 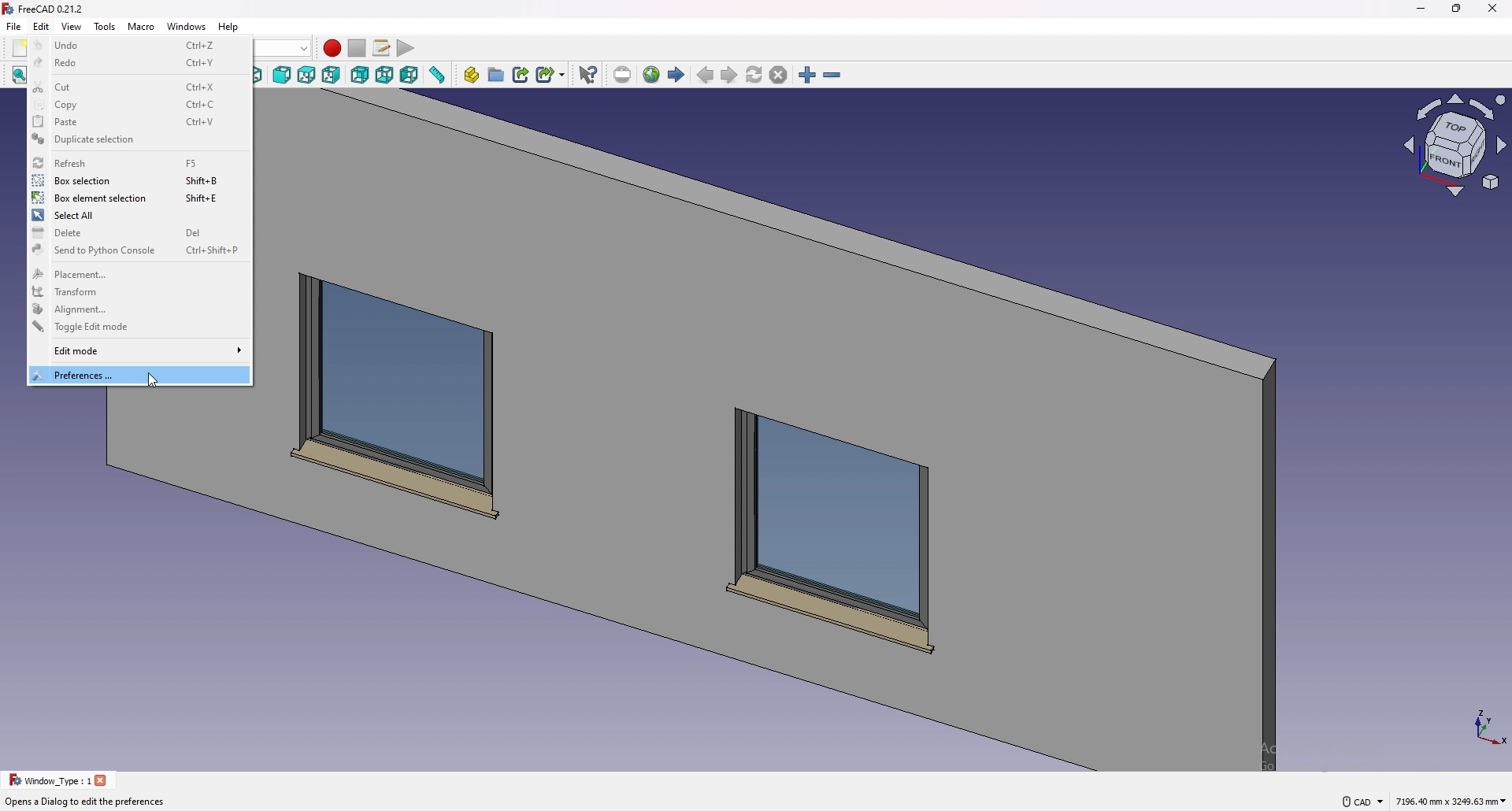 What do you see at coordinates (228, 27) in the screenshot?
I see `help` at bounding box center [228, 27].